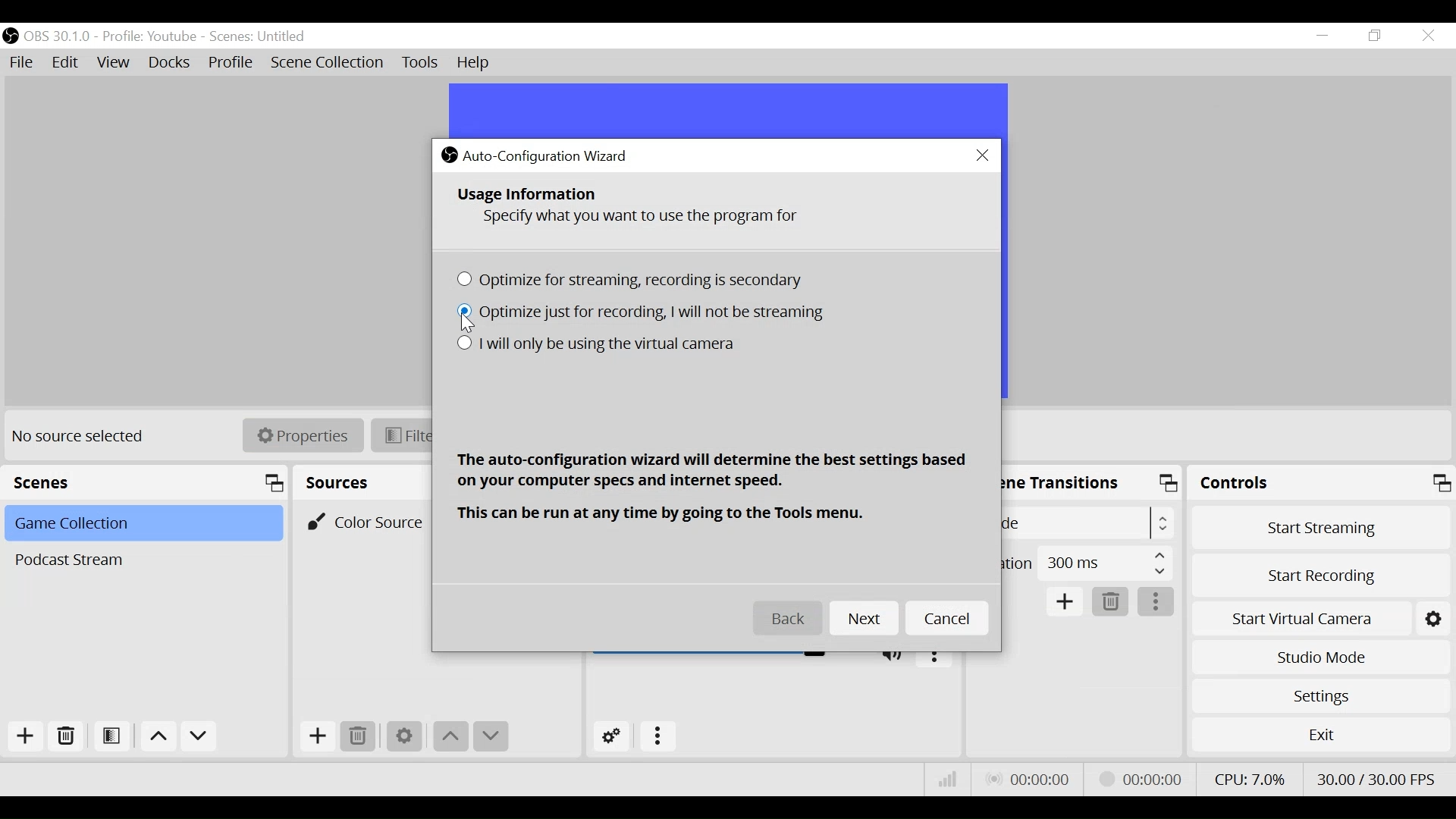  I want to click on (un)check Optimize for streaming, recording is secondary, so click(635, 283).